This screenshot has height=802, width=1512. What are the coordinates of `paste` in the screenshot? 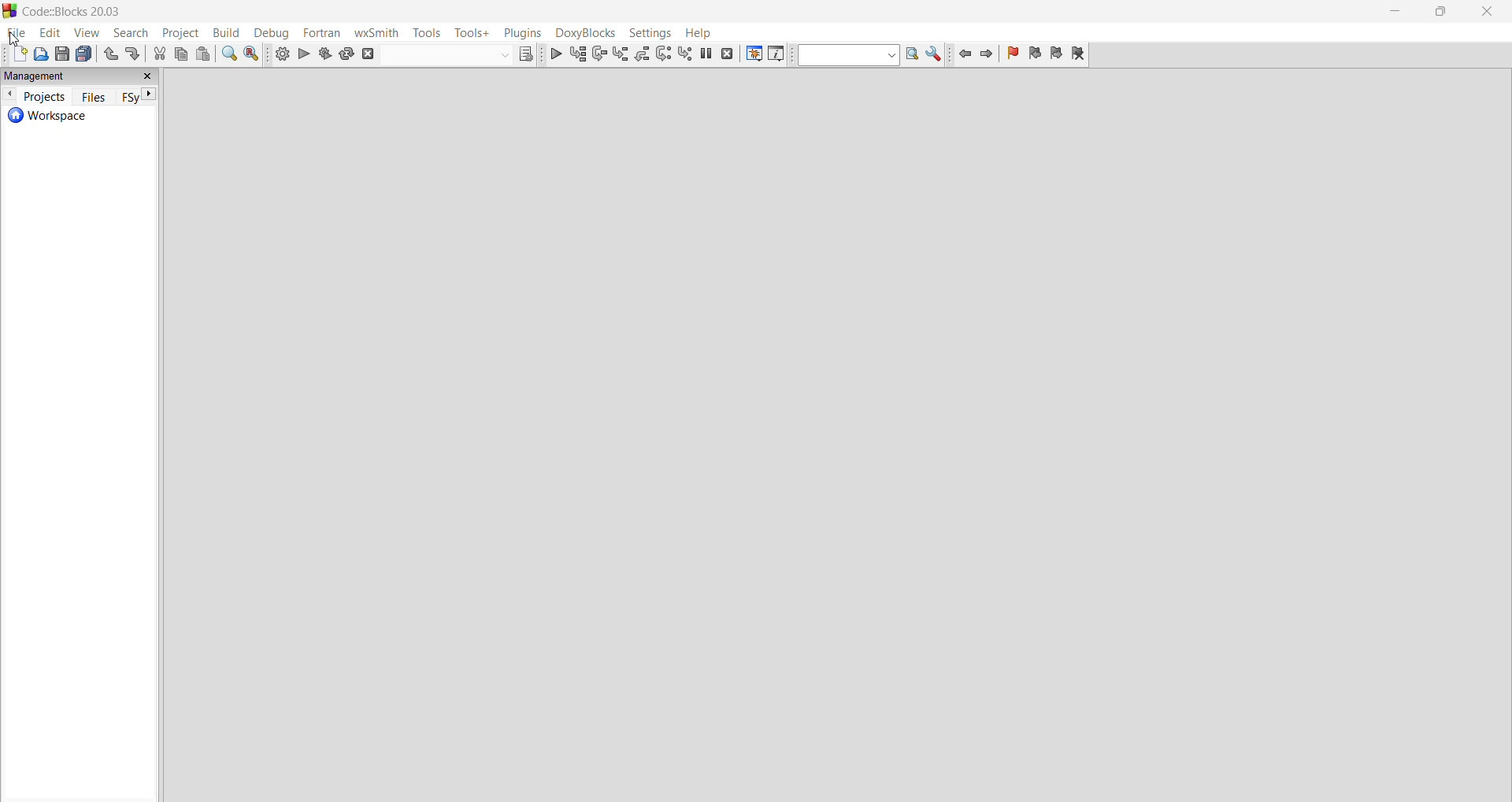 It's located at (206, 54).